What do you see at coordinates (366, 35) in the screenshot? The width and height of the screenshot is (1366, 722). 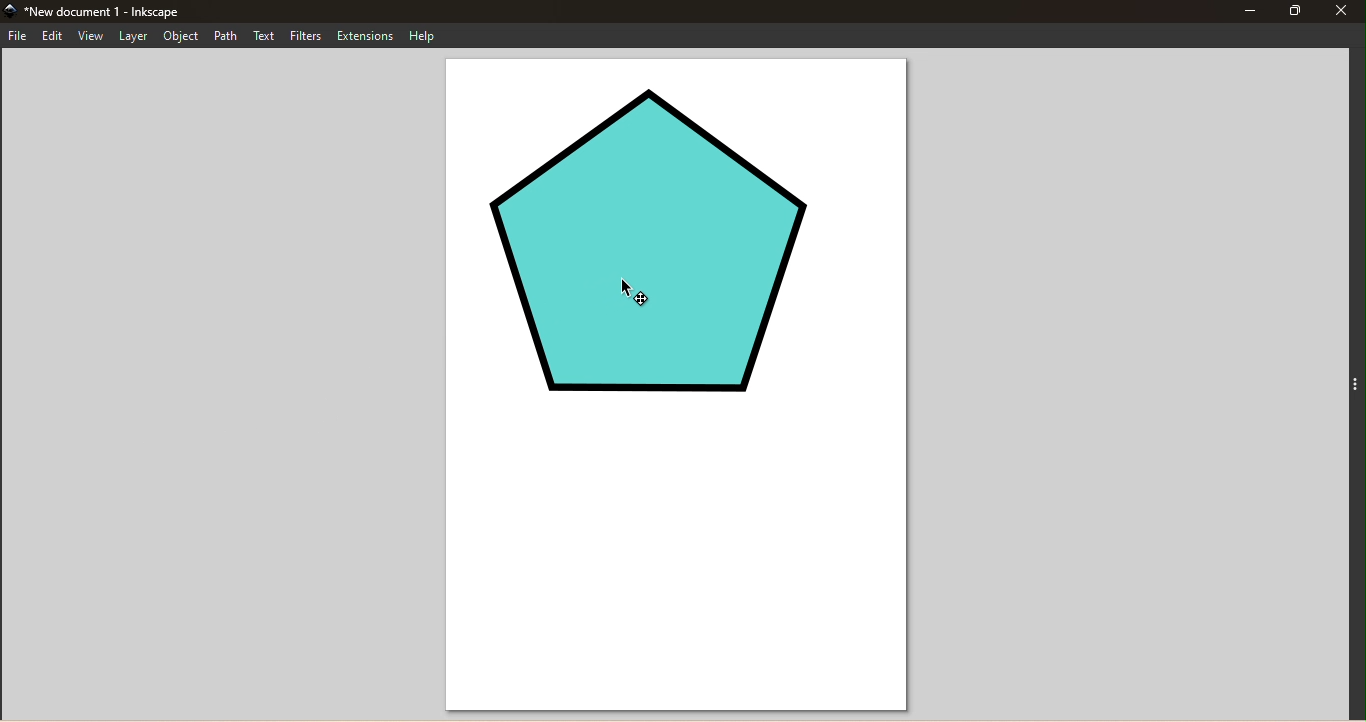 I see `Extensions` at bounding box center [366, 35].